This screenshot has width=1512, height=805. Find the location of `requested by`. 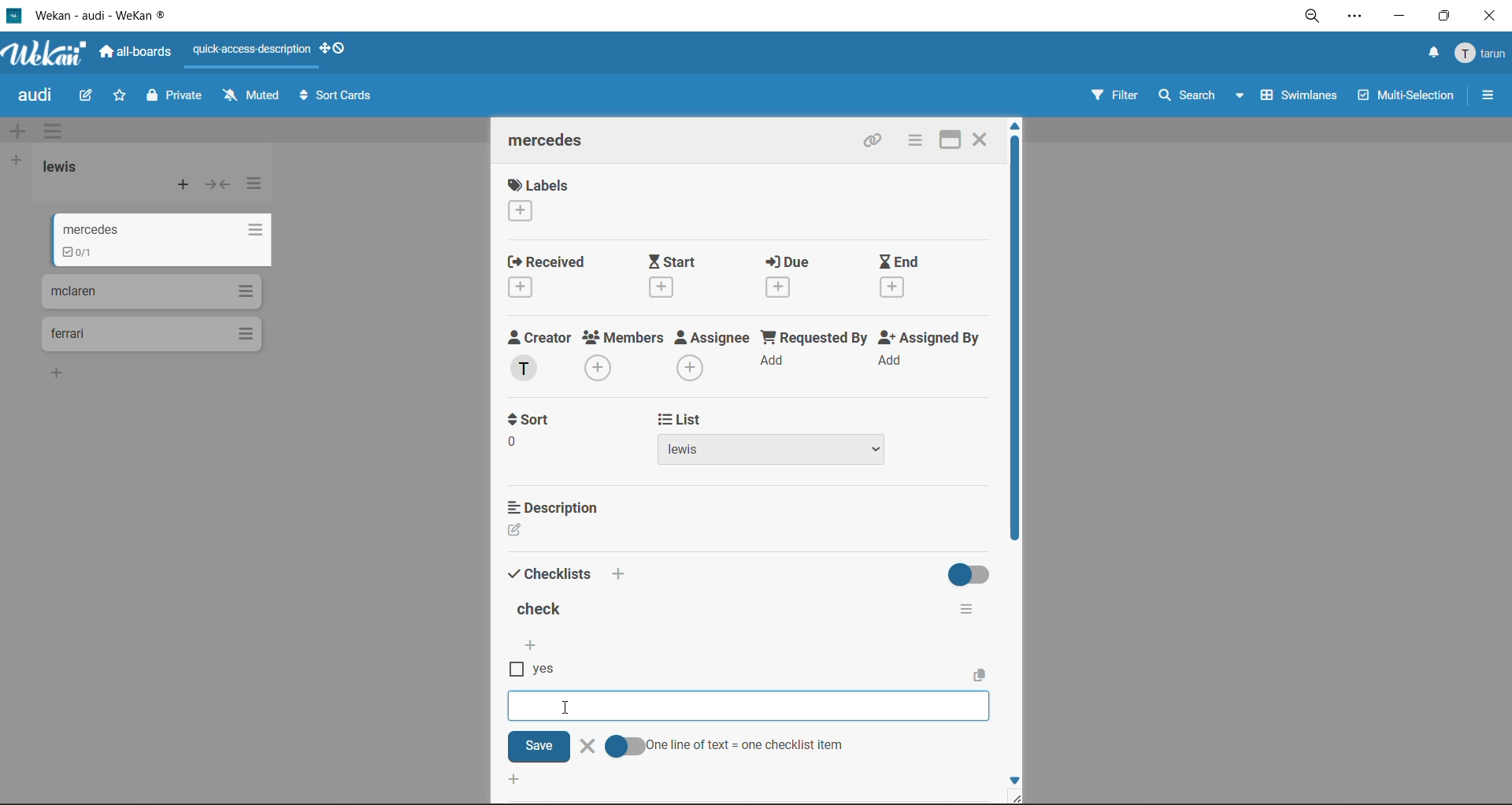

requested by is located at coordinates (816, 354).